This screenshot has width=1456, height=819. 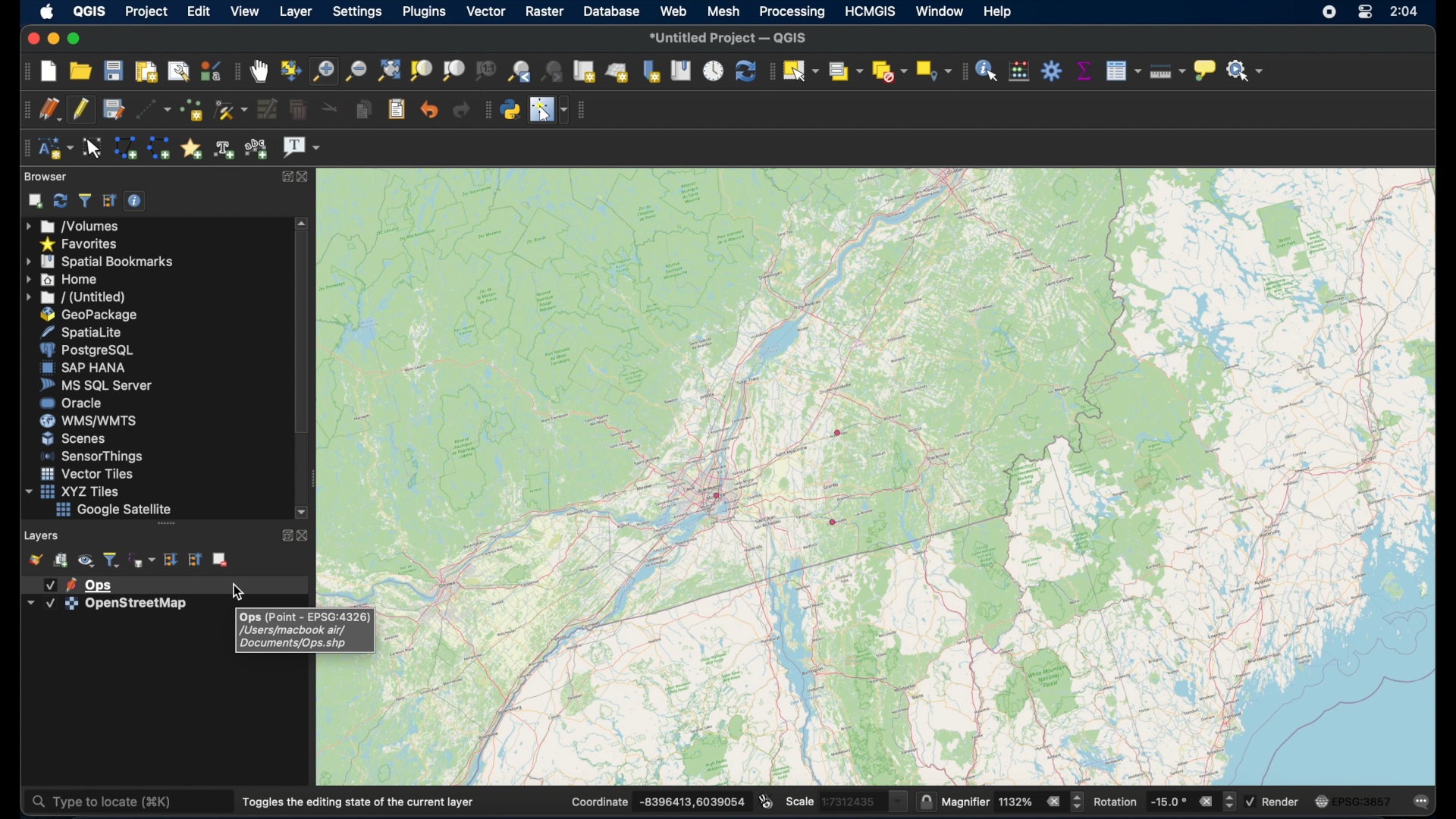 What do you see at coordinates (80, 110) in the screenshot?
I see `toggle editing` at bounding box center [80, 110].